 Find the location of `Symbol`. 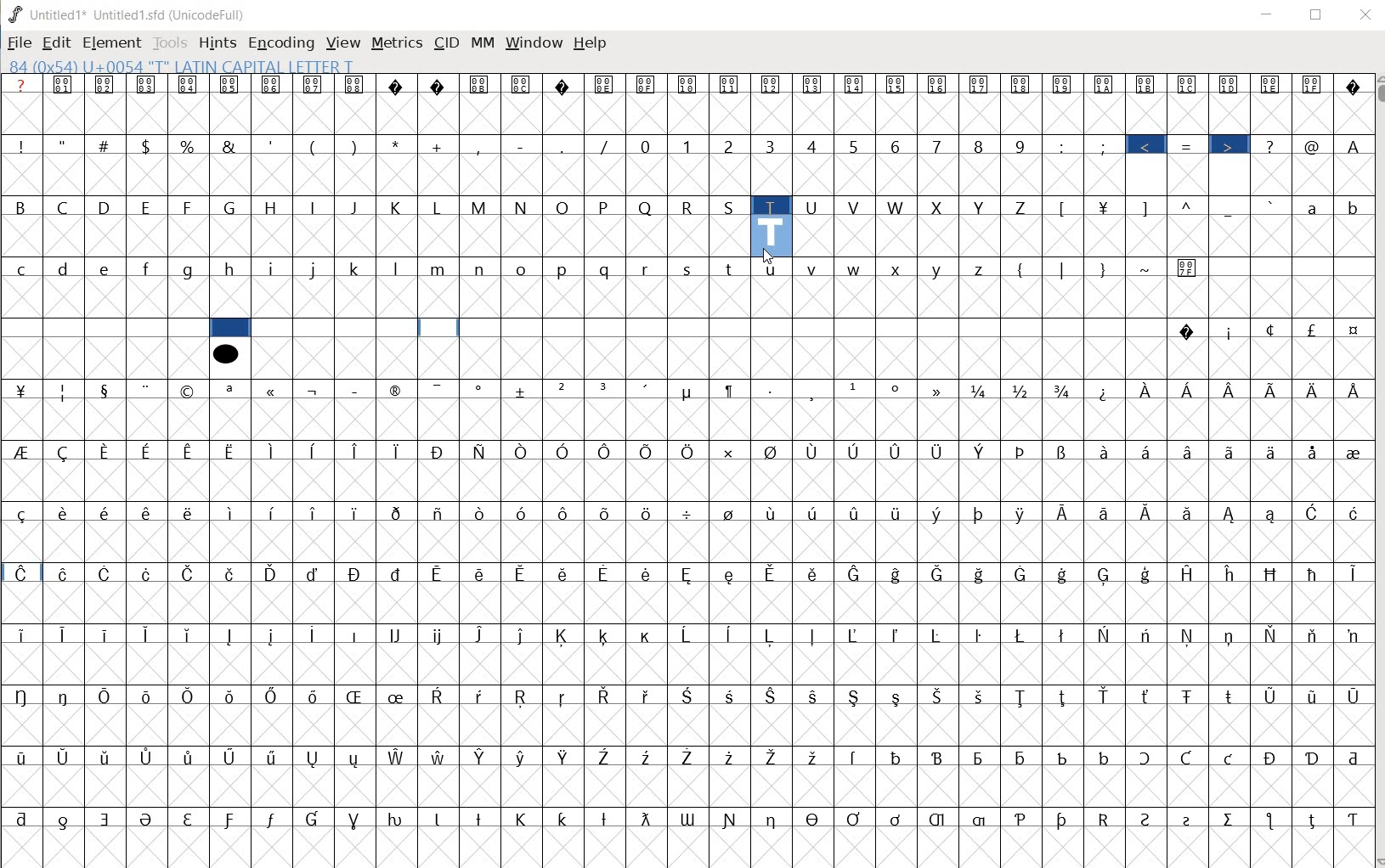

Symbol is located at coordinates (65, 820).